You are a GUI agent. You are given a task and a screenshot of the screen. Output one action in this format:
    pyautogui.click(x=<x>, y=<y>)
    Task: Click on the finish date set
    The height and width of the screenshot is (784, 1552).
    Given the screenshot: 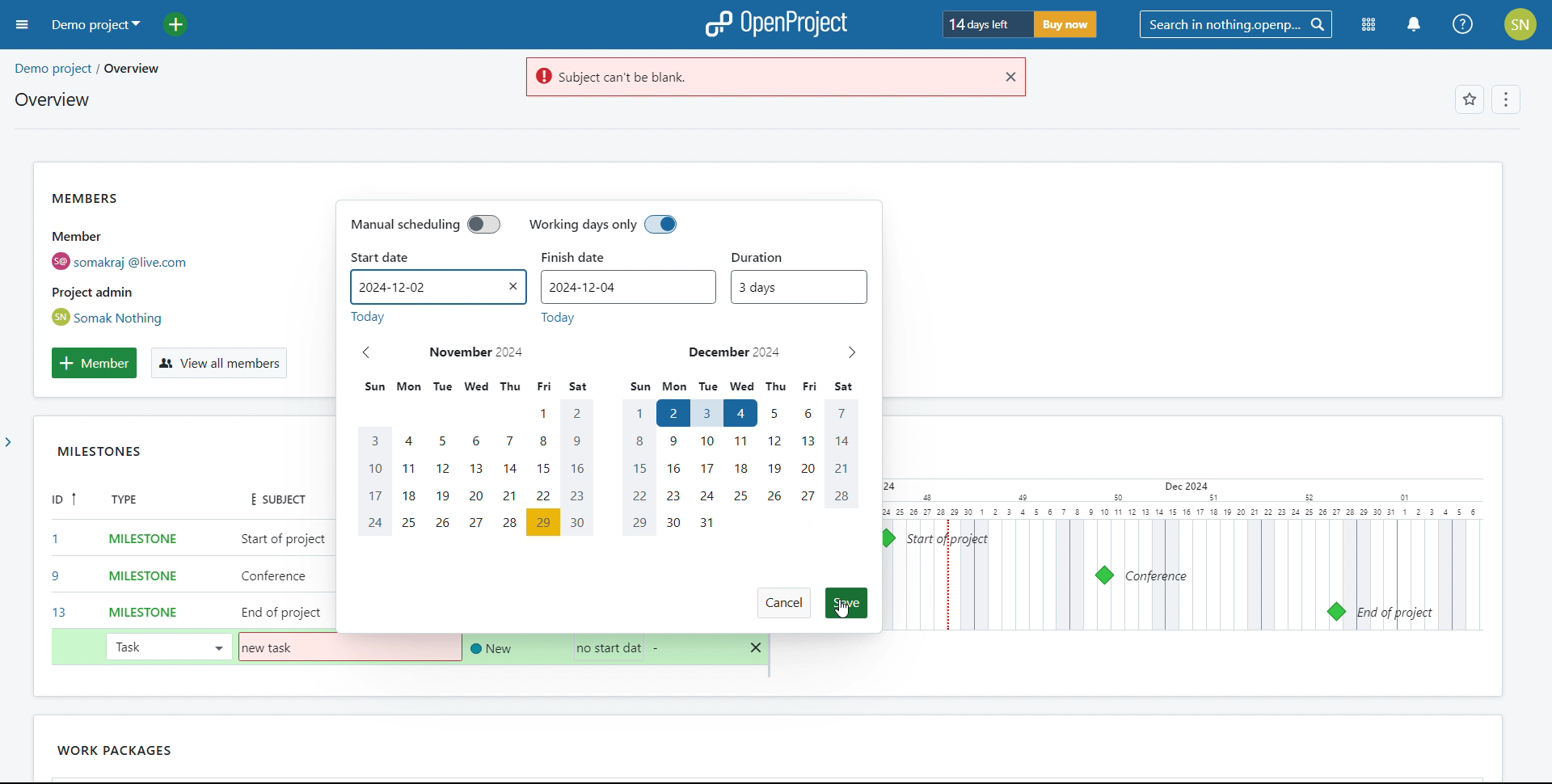 What is the action you would take?
    pyautogui.click(x=628, y=286)
    